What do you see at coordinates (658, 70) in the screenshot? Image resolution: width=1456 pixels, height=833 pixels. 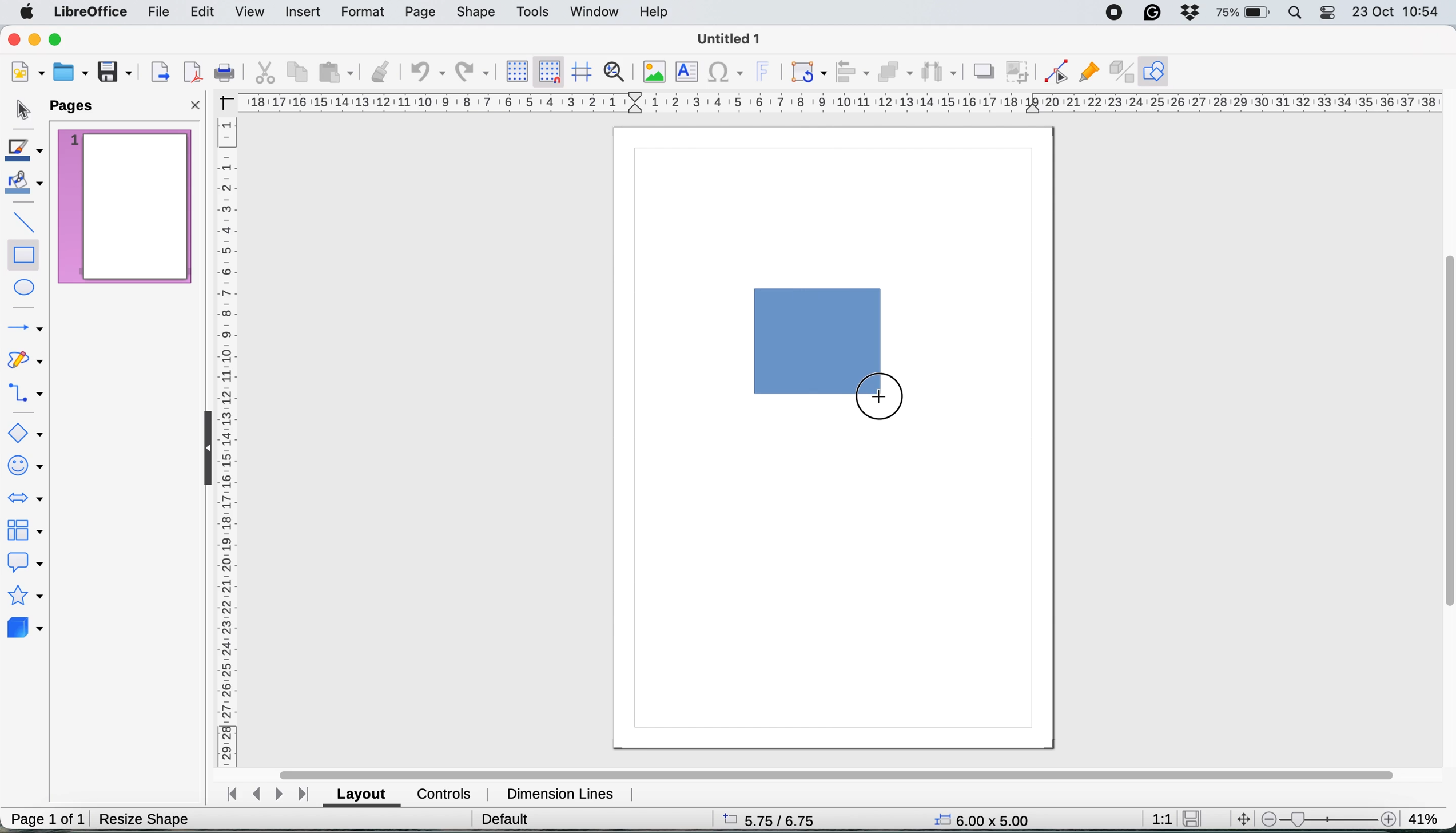 I see `insert image` at bounding box center [658, 70].